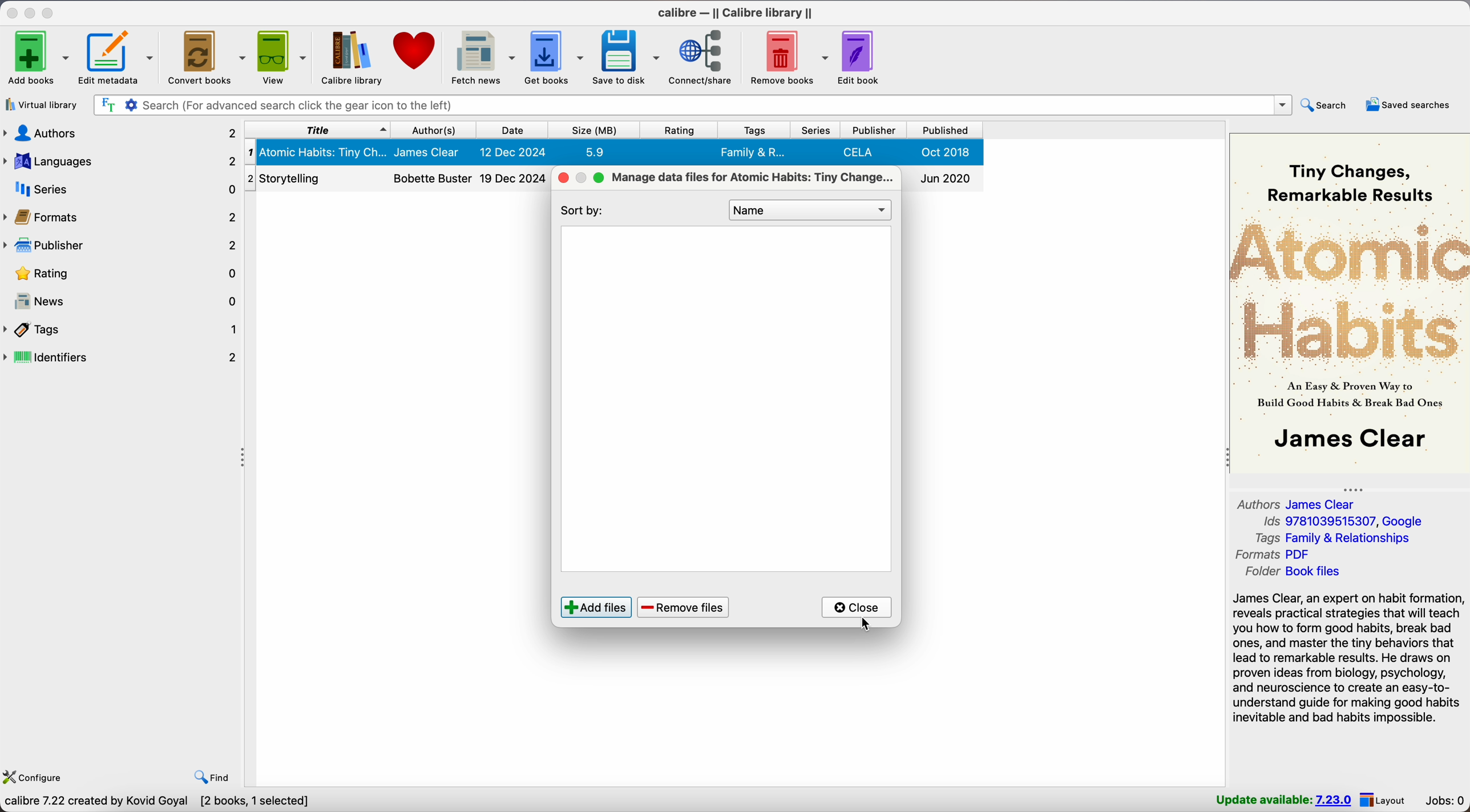  Describe the element at coordinates (862, 59) in the screenshot. I see `edit book` at that location.